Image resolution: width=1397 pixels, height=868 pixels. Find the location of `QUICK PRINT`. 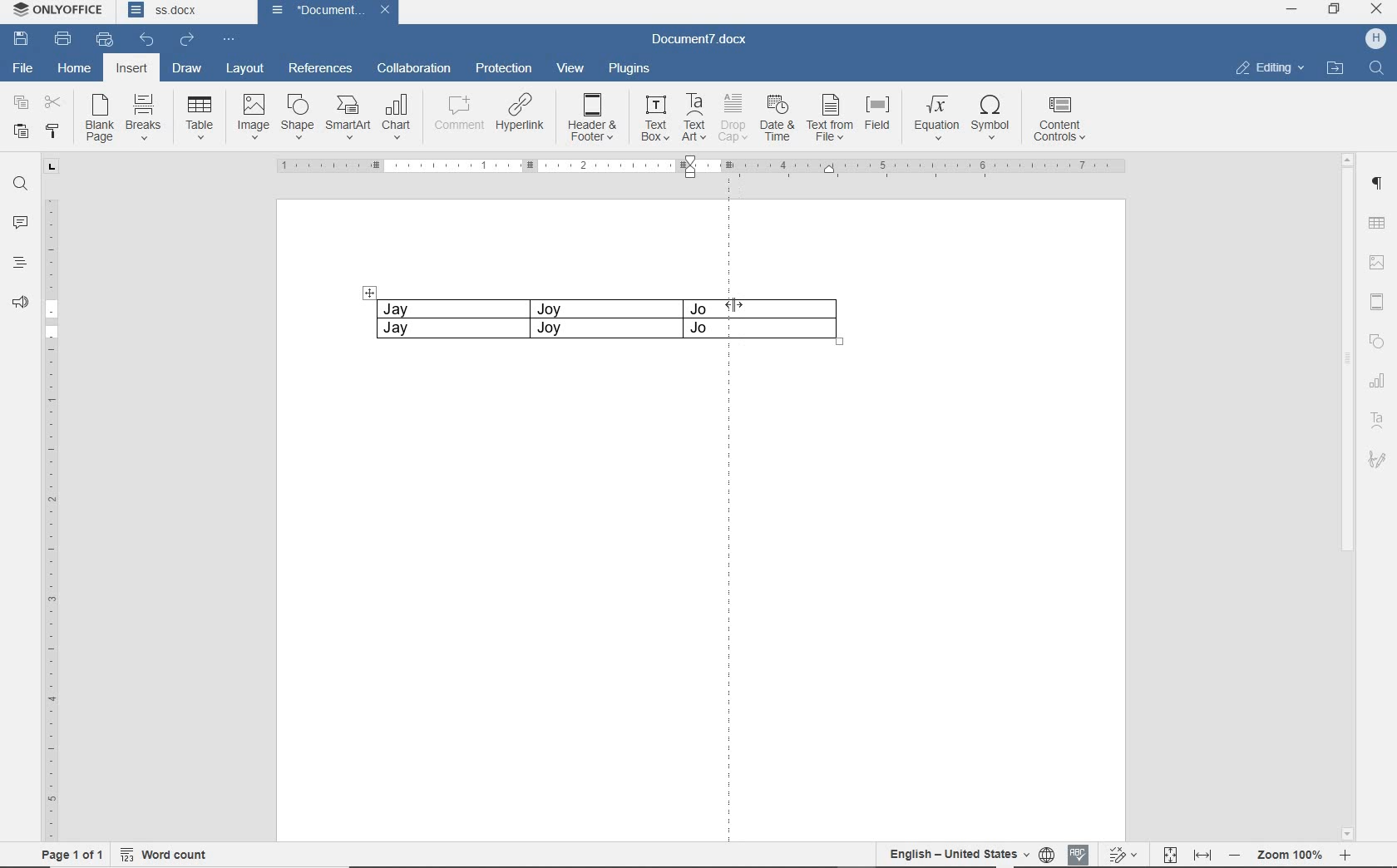

QUICK PRINT is located at coordinates (105, 40).